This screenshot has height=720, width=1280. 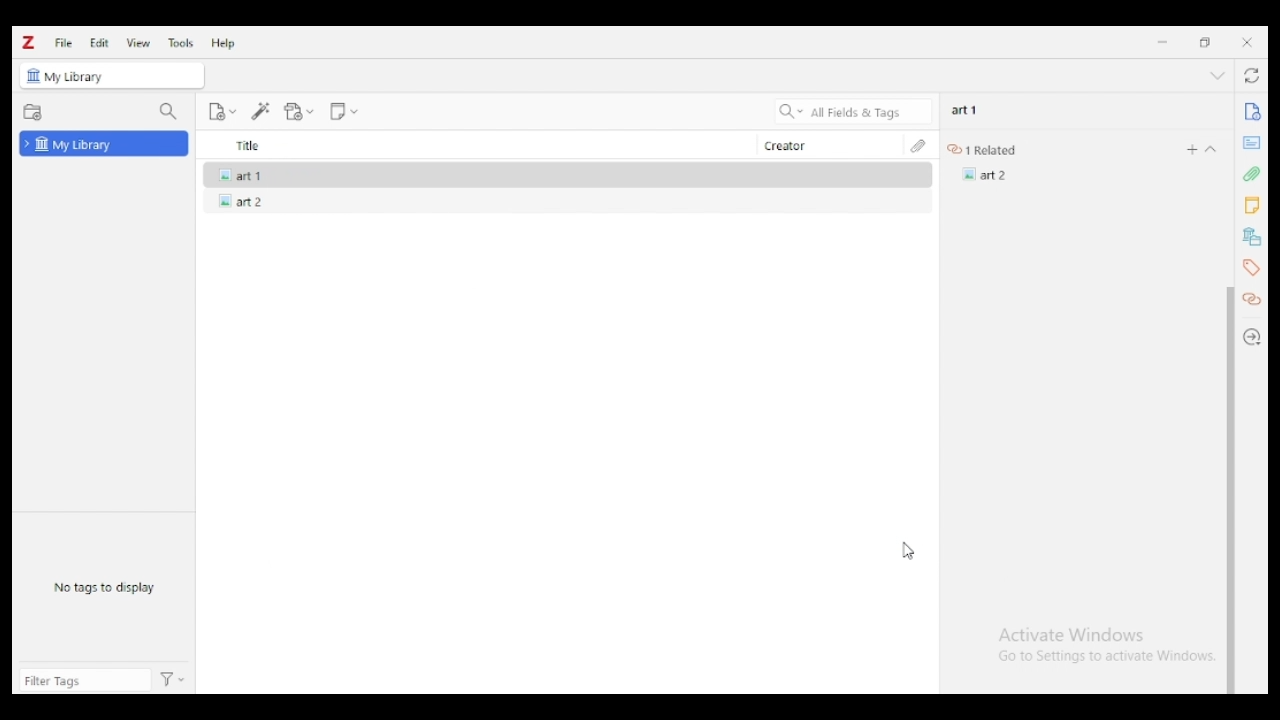 I want to click on related, so click(x=1254, y=300).